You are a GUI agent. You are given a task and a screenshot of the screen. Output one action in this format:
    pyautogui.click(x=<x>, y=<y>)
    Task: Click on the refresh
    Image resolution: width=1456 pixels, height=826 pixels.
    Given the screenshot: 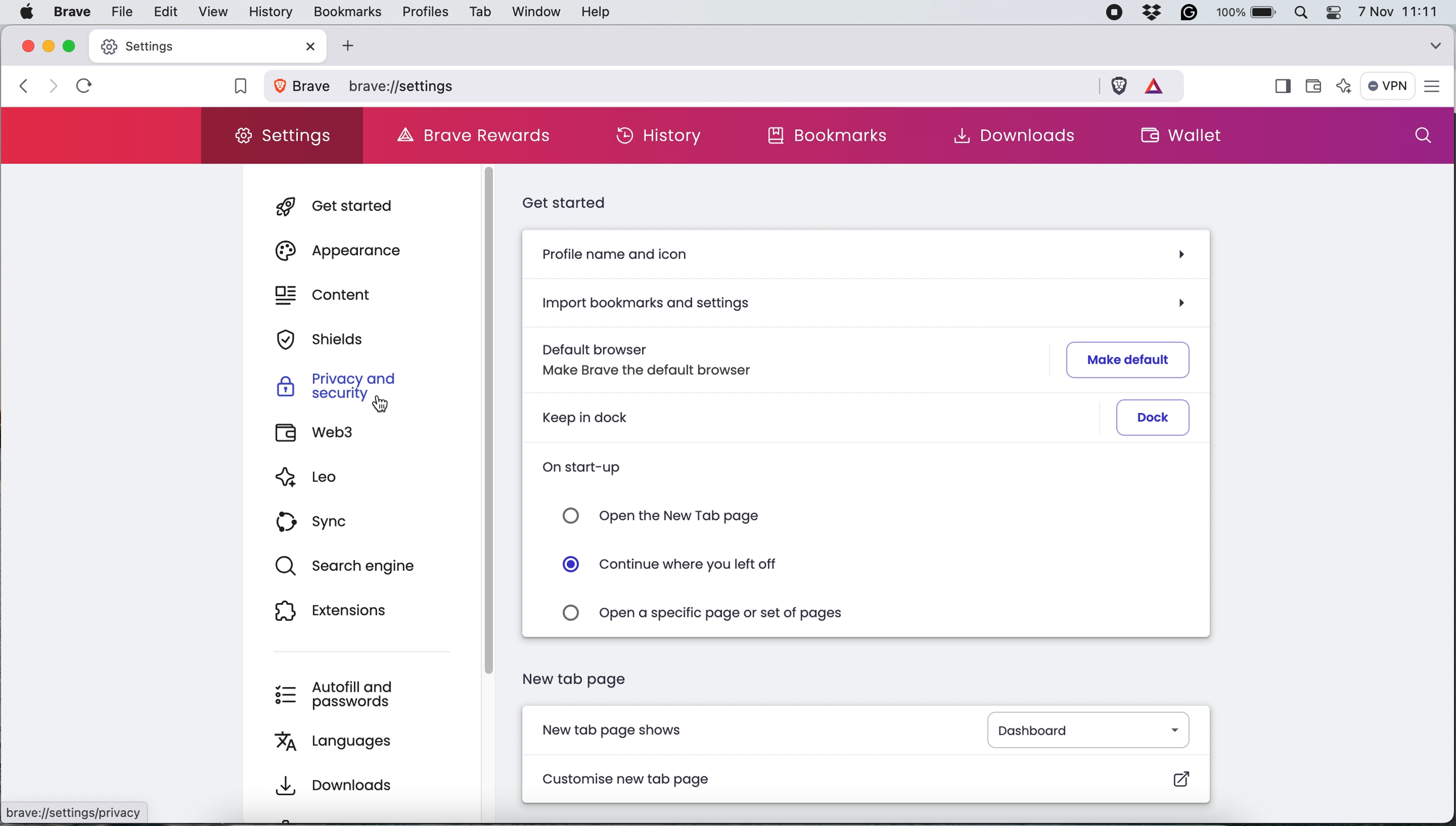 What is the action you would take?
    pyautogui.click(x=85, y=86)
    